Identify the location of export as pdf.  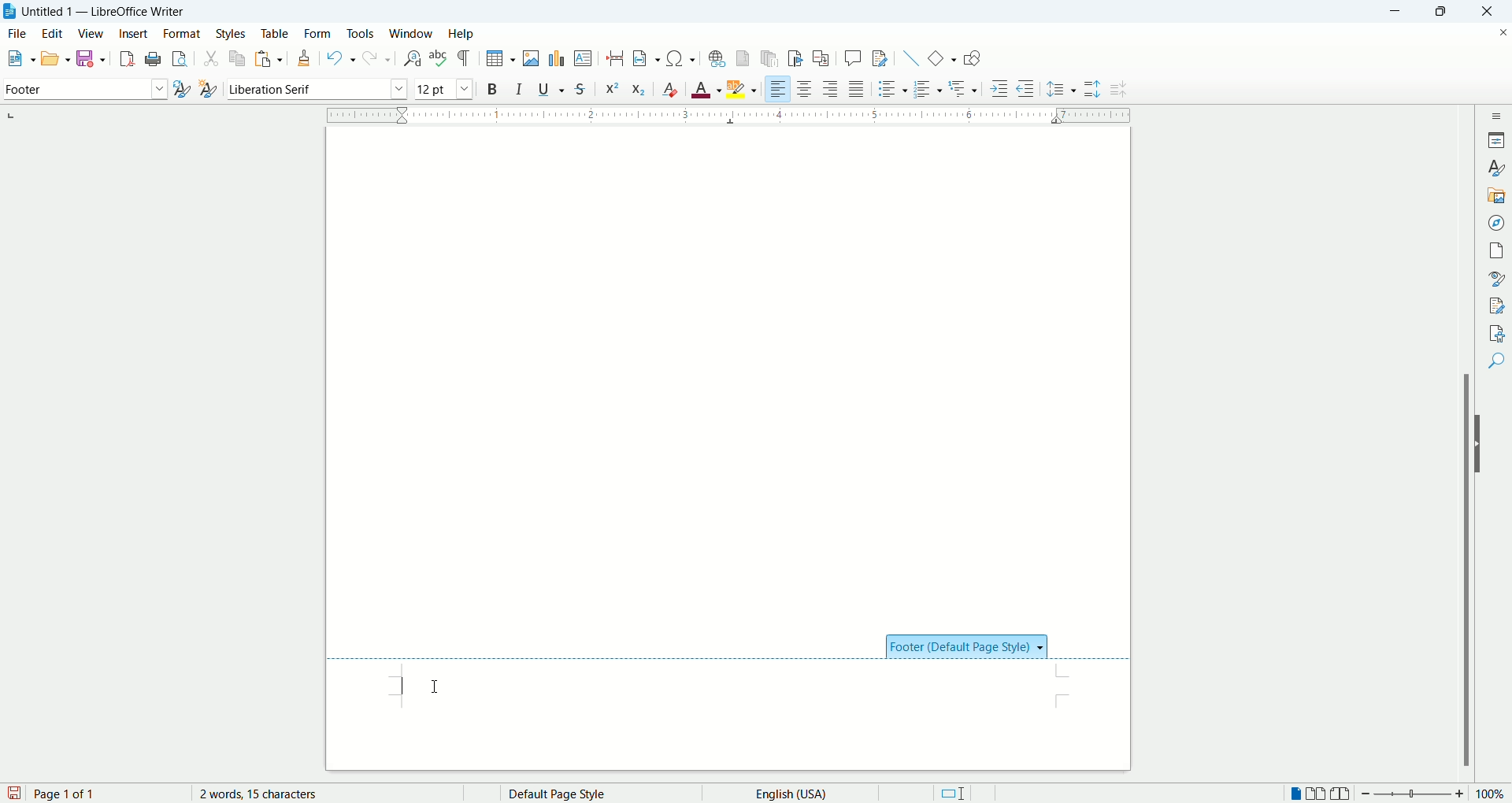
(124, 58).